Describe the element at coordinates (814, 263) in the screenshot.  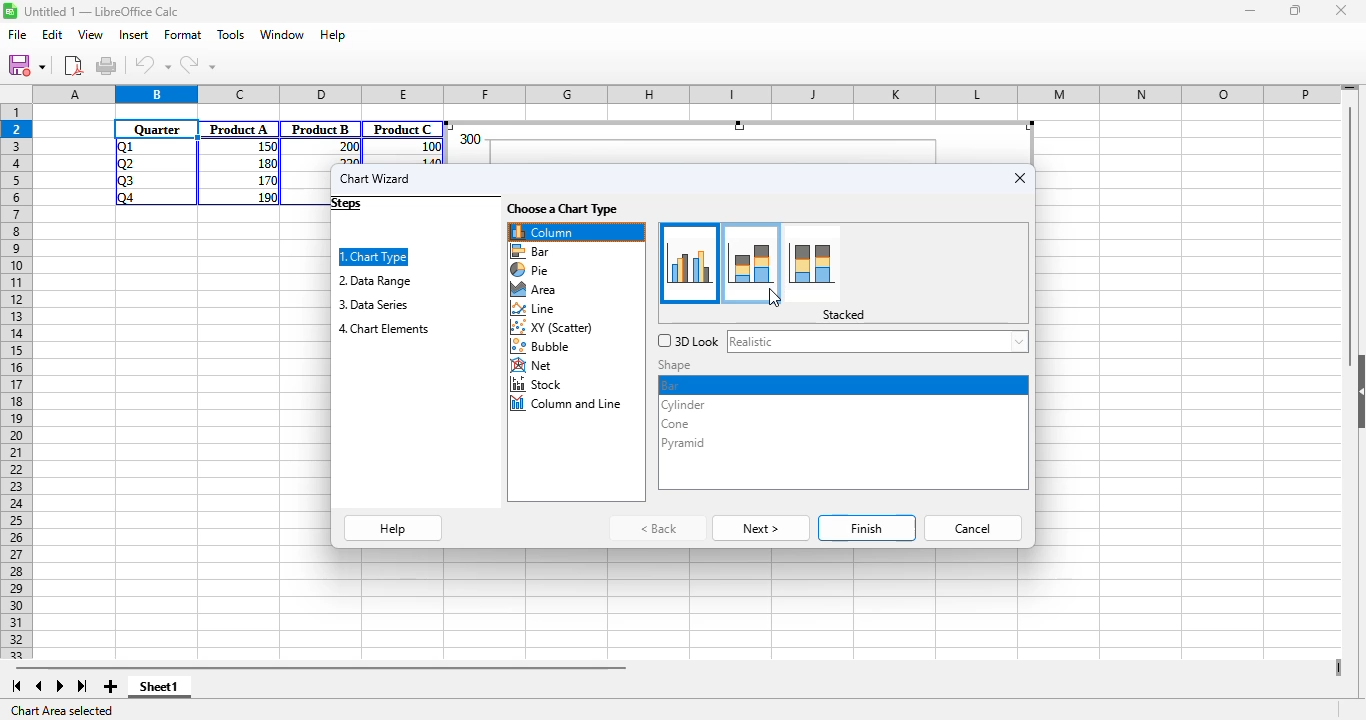
I see `percent stacked` at that location.